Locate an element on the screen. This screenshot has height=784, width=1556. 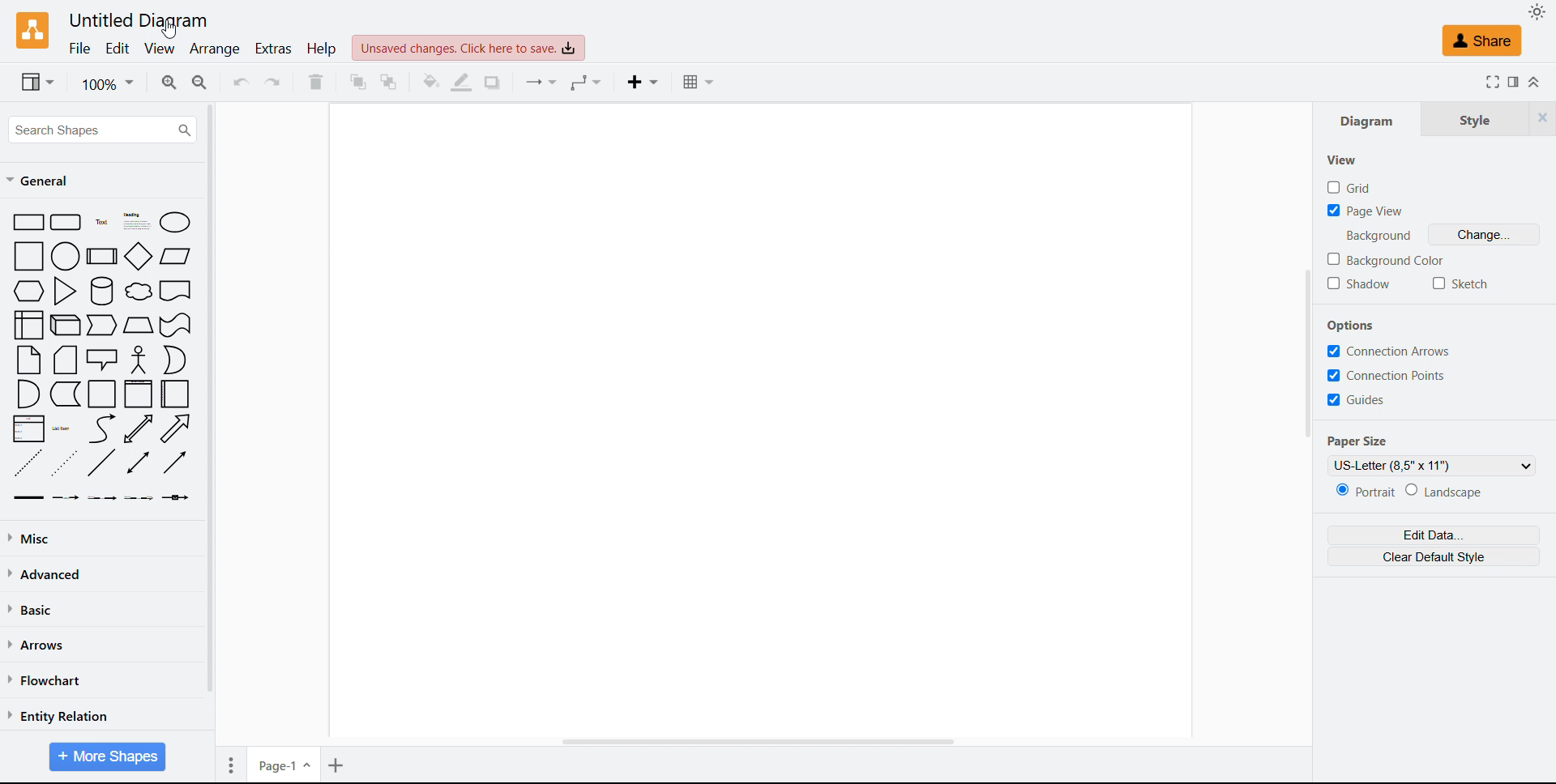
Edit data  is located at coordinates (1433, 535).